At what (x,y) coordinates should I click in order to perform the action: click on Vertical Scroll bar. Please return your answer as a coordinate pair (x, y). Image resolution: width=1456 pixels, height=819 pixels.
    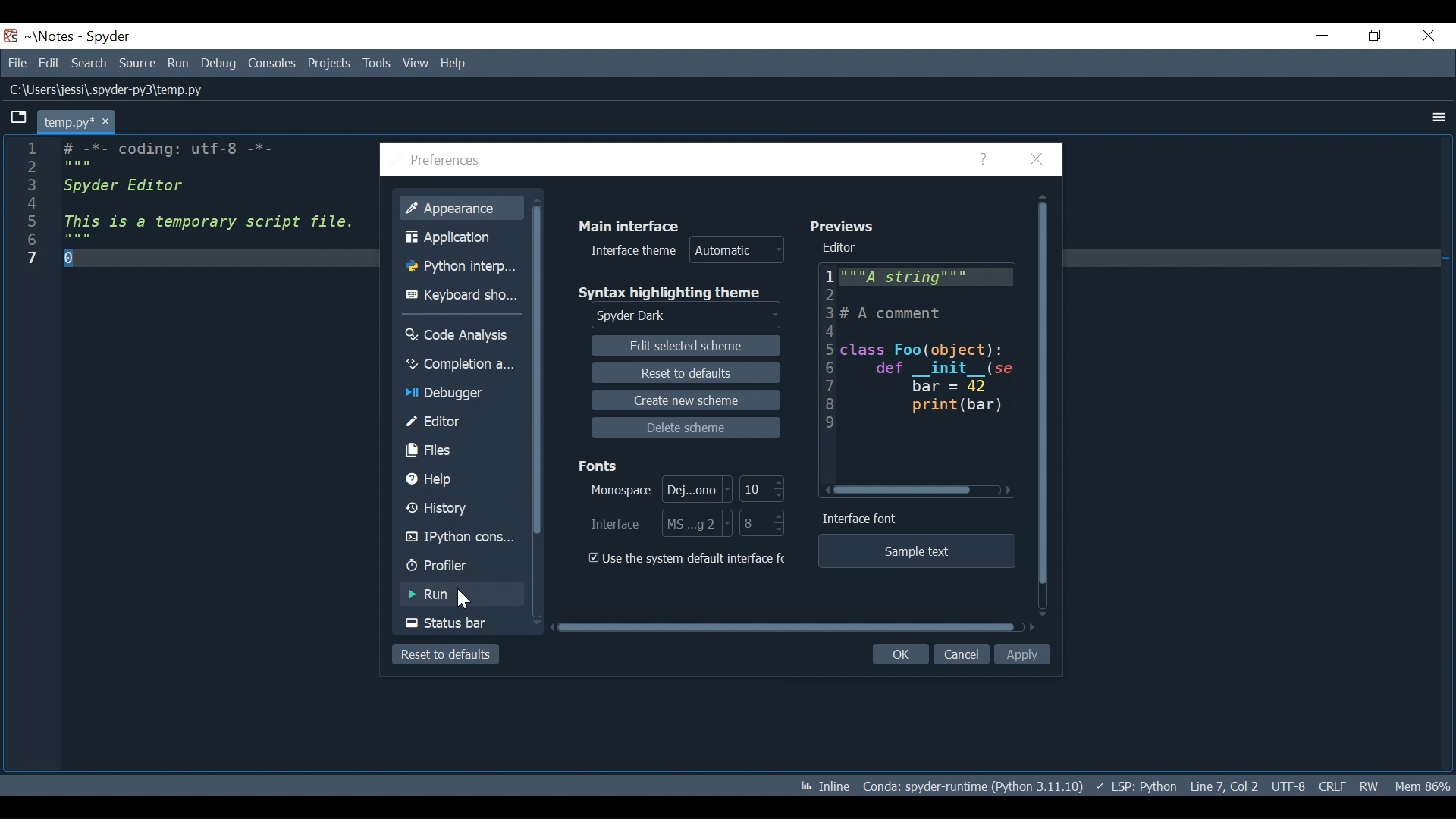
    Looking at the image, I should click on (538, 407).